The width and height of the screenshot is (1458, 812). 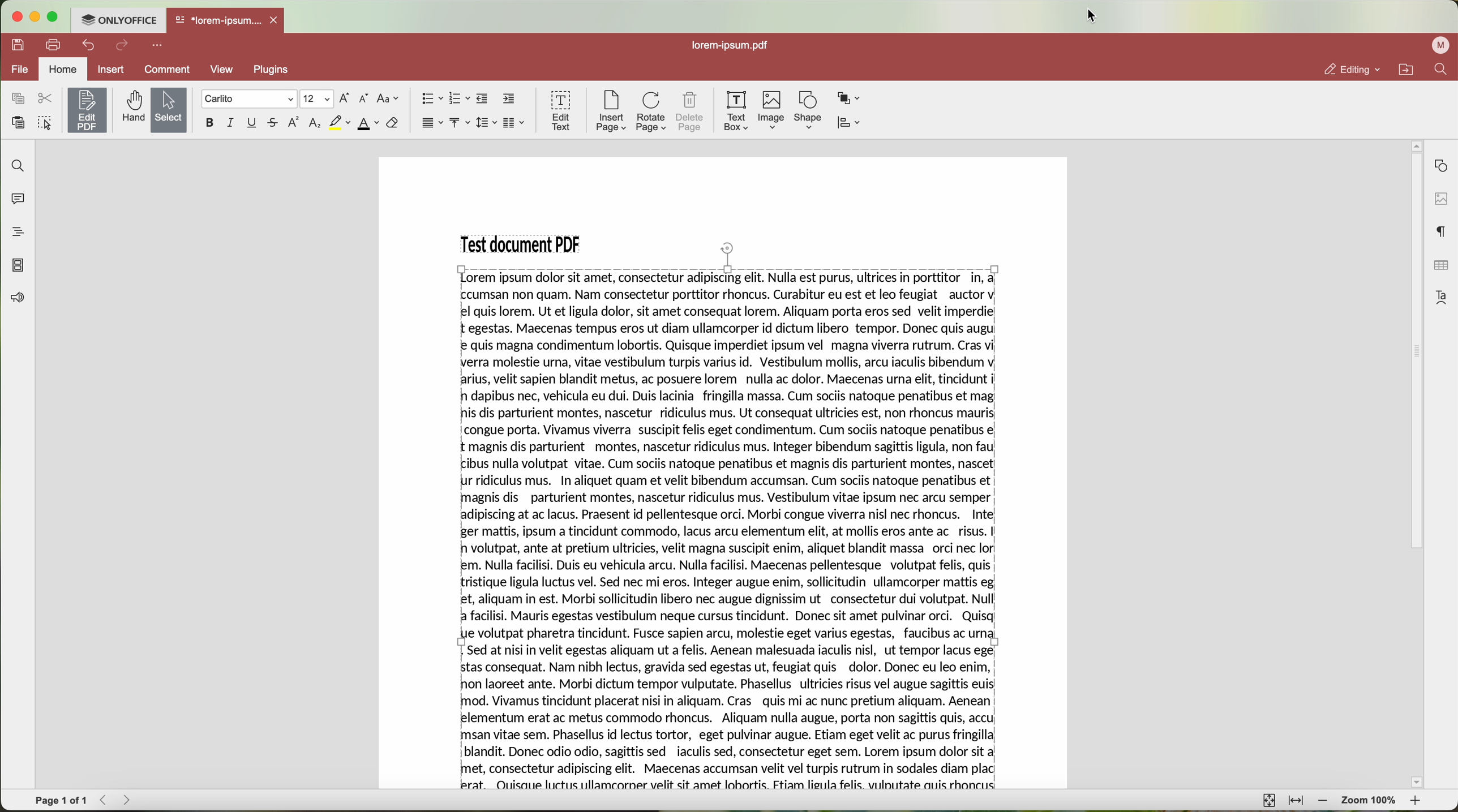 I want to click on comment, so click(x=168, y=70).